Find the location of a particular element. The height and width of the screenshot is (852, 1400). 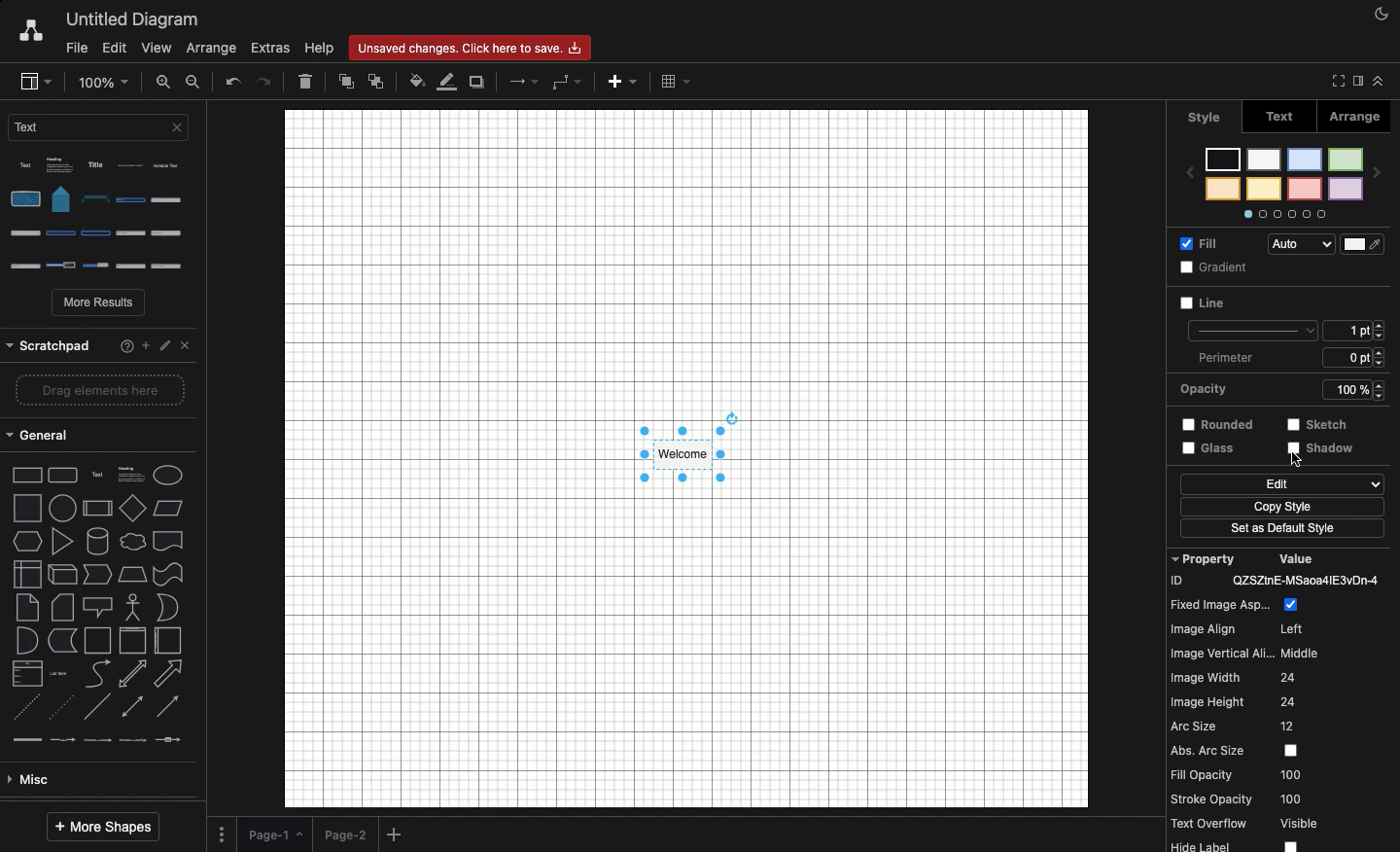

style is located at coordinates (1205, 116).